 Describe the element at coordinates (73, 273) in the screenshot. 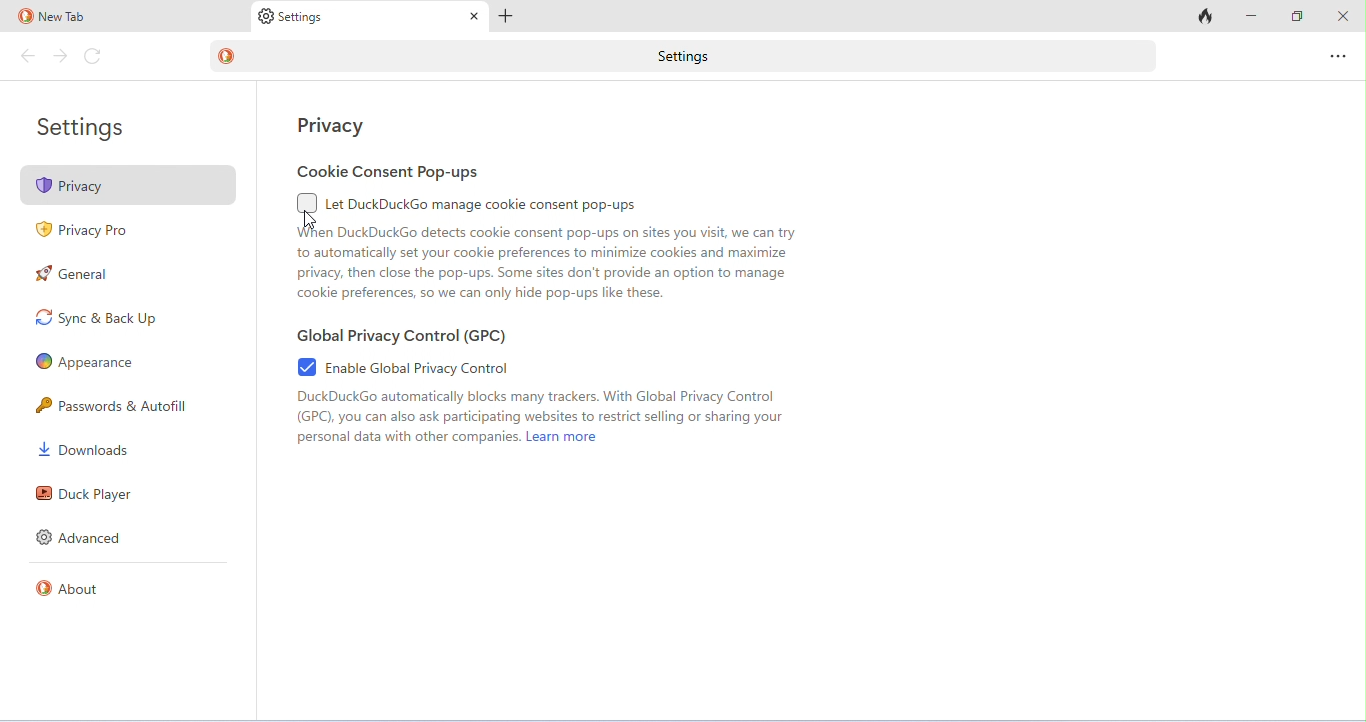

I see `general` at that location.